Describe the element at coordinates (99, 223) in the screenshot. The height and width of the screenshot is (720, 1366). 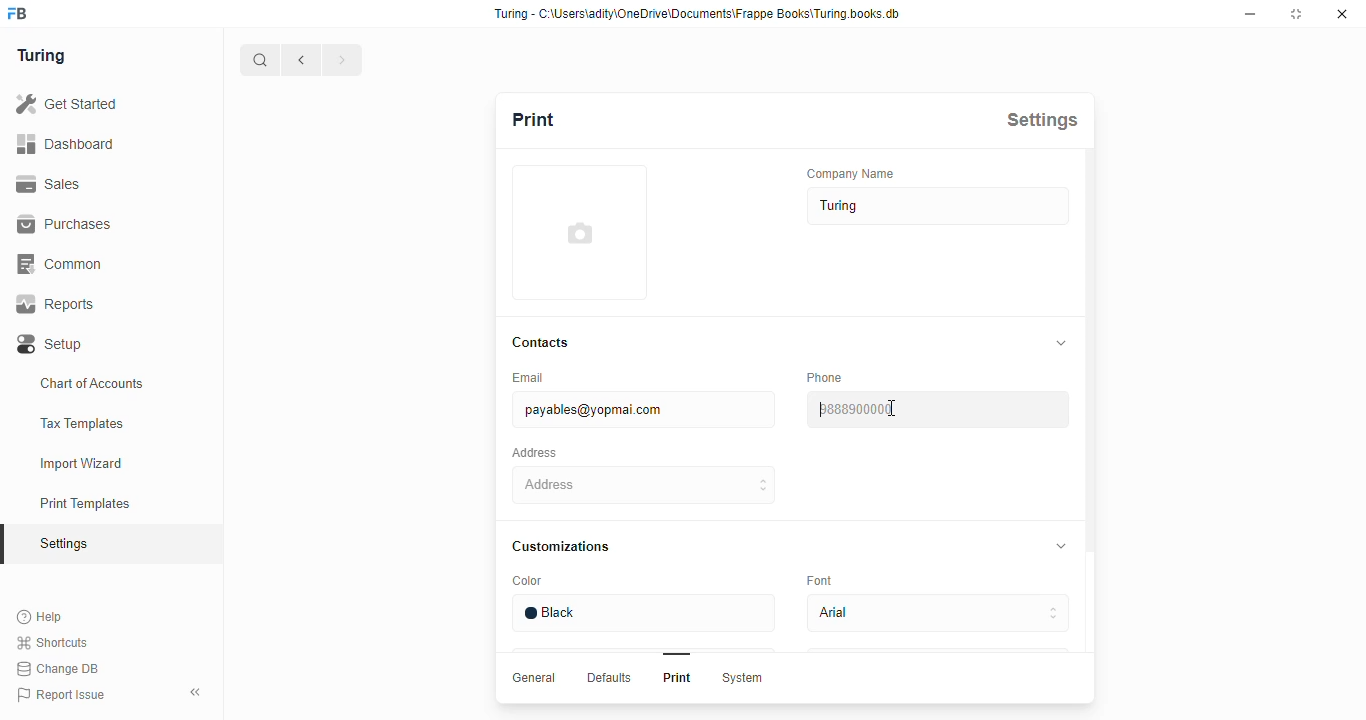
I see `Purchases` at that location.